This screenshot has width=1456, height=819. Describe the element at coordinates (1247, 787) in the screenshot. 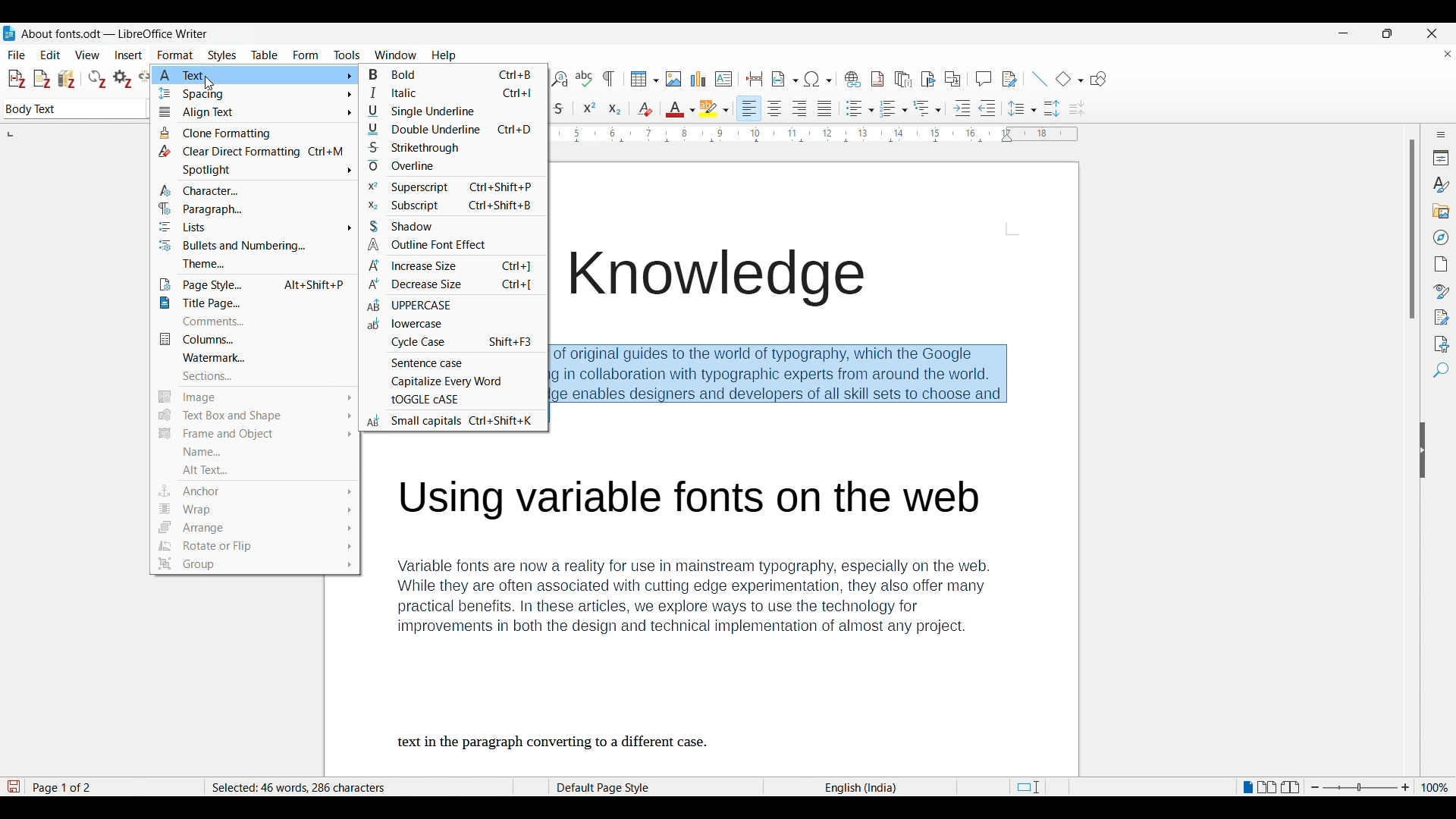

I see `Single page view` at that location.